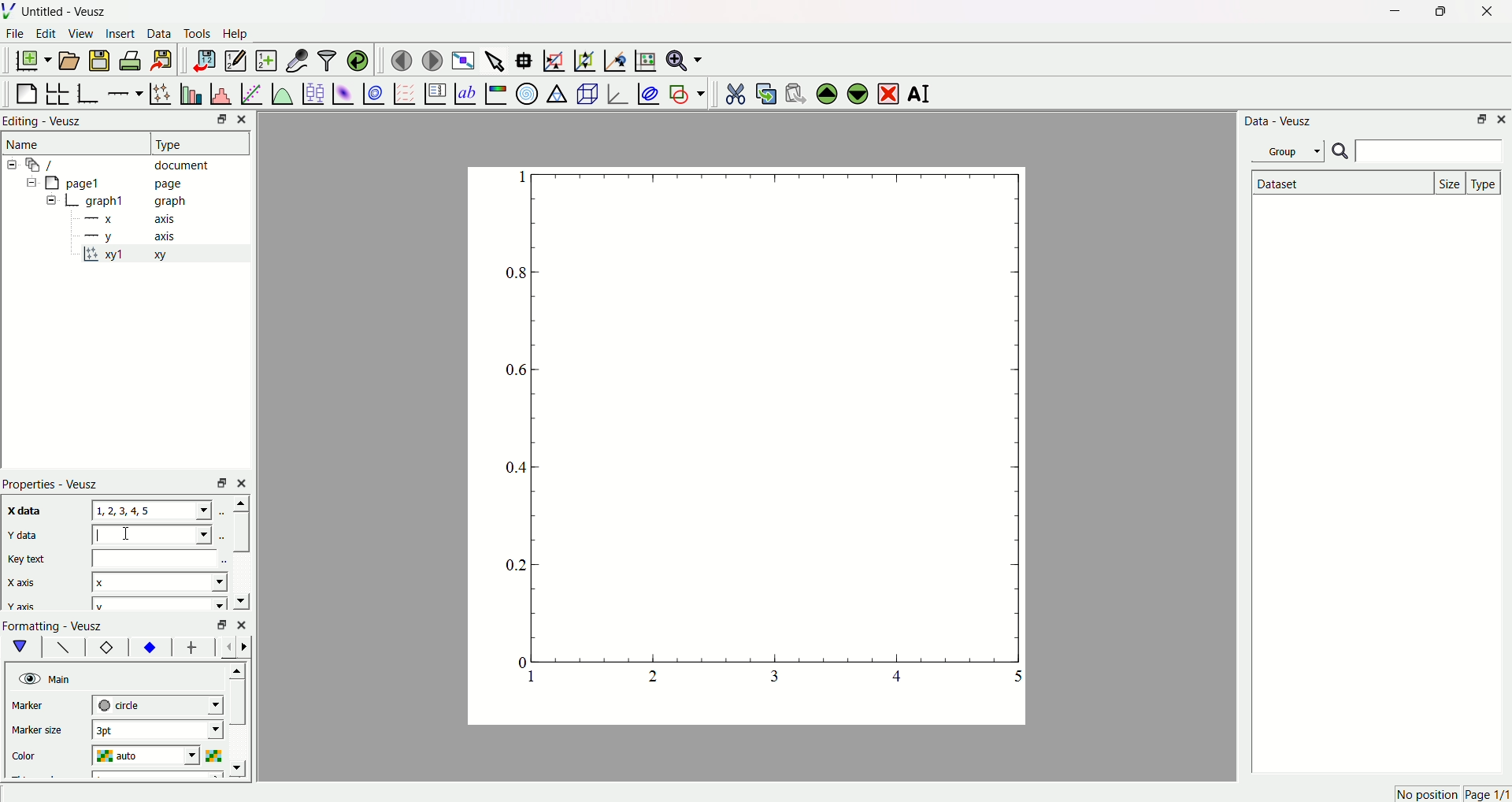  What do you see at coordinates (52, 201) in the screenshot?
I see `expand` at bounding box center [52, 201].